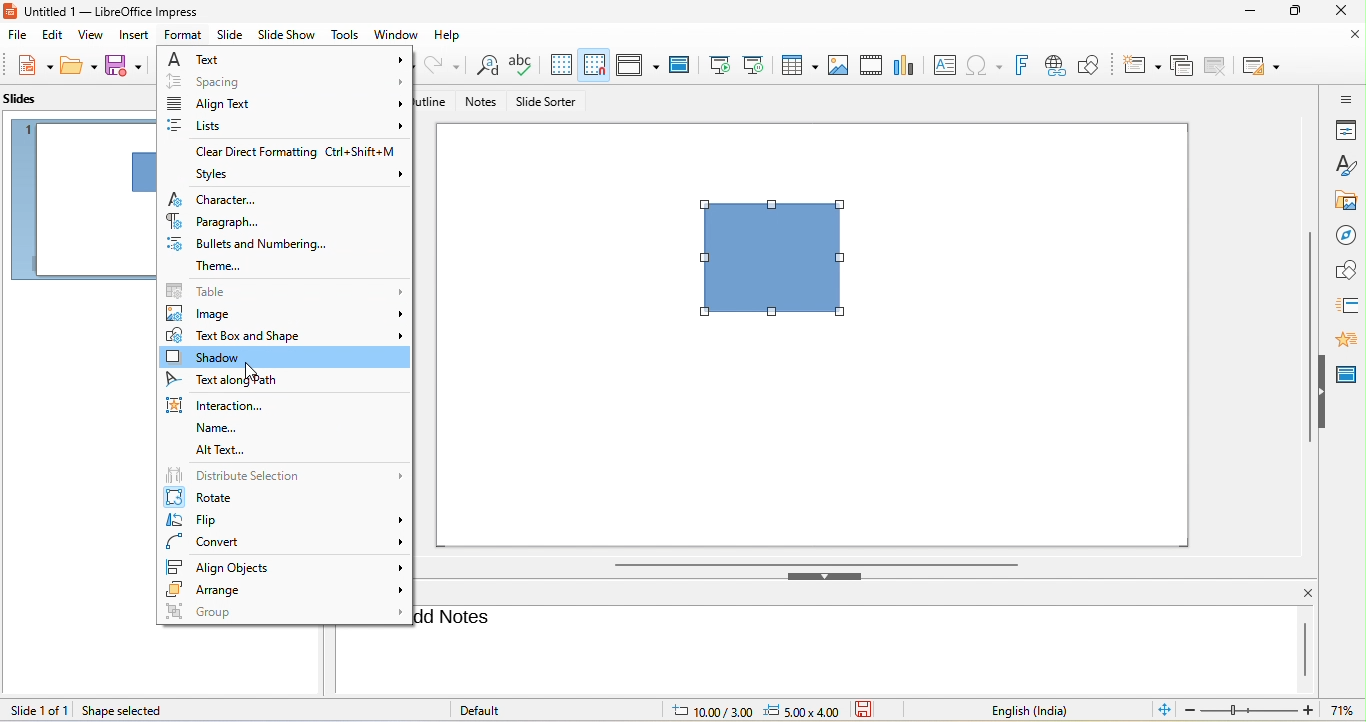 This screenshot has height=722, width=1366. I want to click on bullets and numbering, so click(251, 243).